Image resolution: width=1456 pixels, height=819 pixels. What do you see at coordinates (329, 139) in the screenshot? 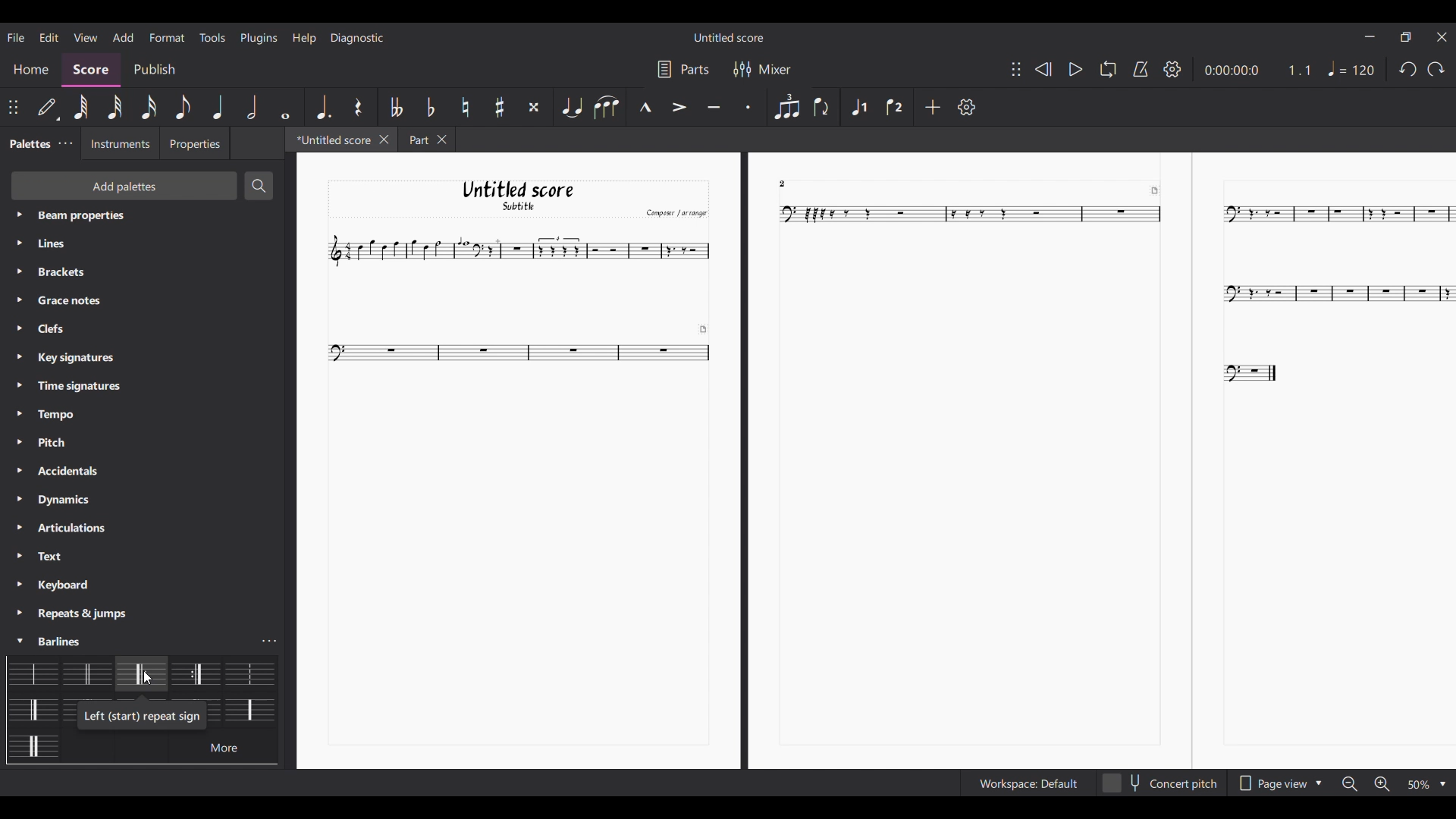
I see `Current tab` at bounding box center [329, 139].